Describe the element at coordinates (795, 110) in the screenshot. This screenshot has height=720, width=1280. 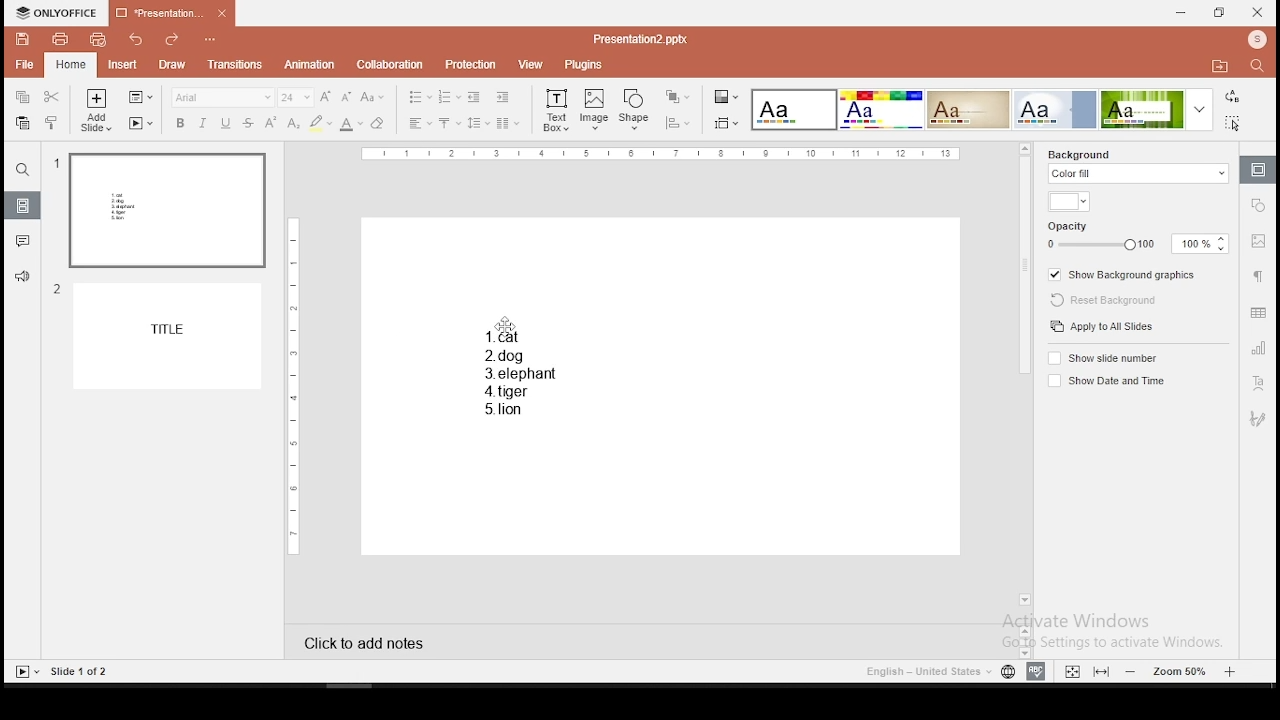
I see `theme` at that location.